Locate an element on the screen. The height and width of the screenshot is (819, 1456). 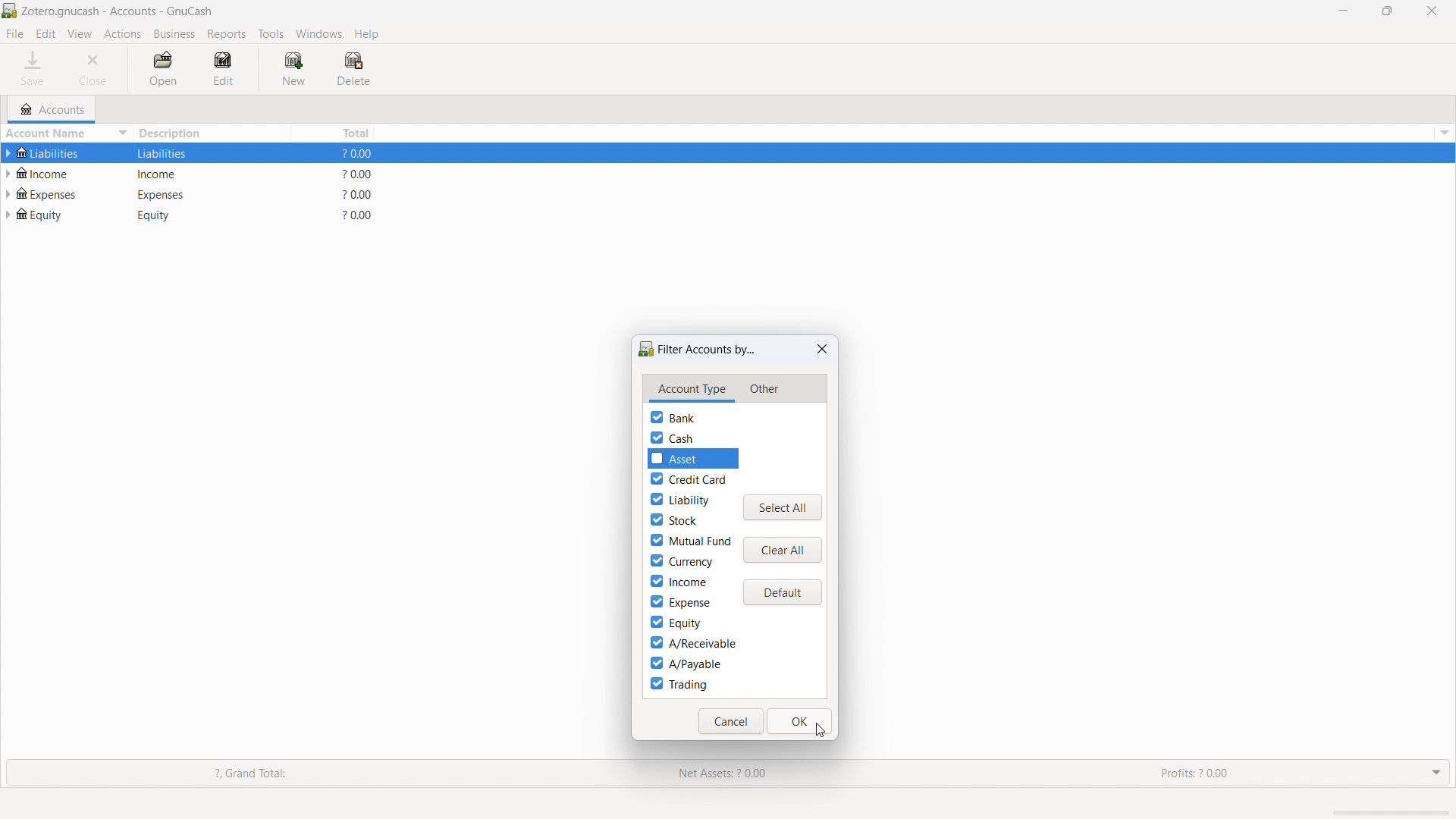
description is located at coordinates (212, 133).